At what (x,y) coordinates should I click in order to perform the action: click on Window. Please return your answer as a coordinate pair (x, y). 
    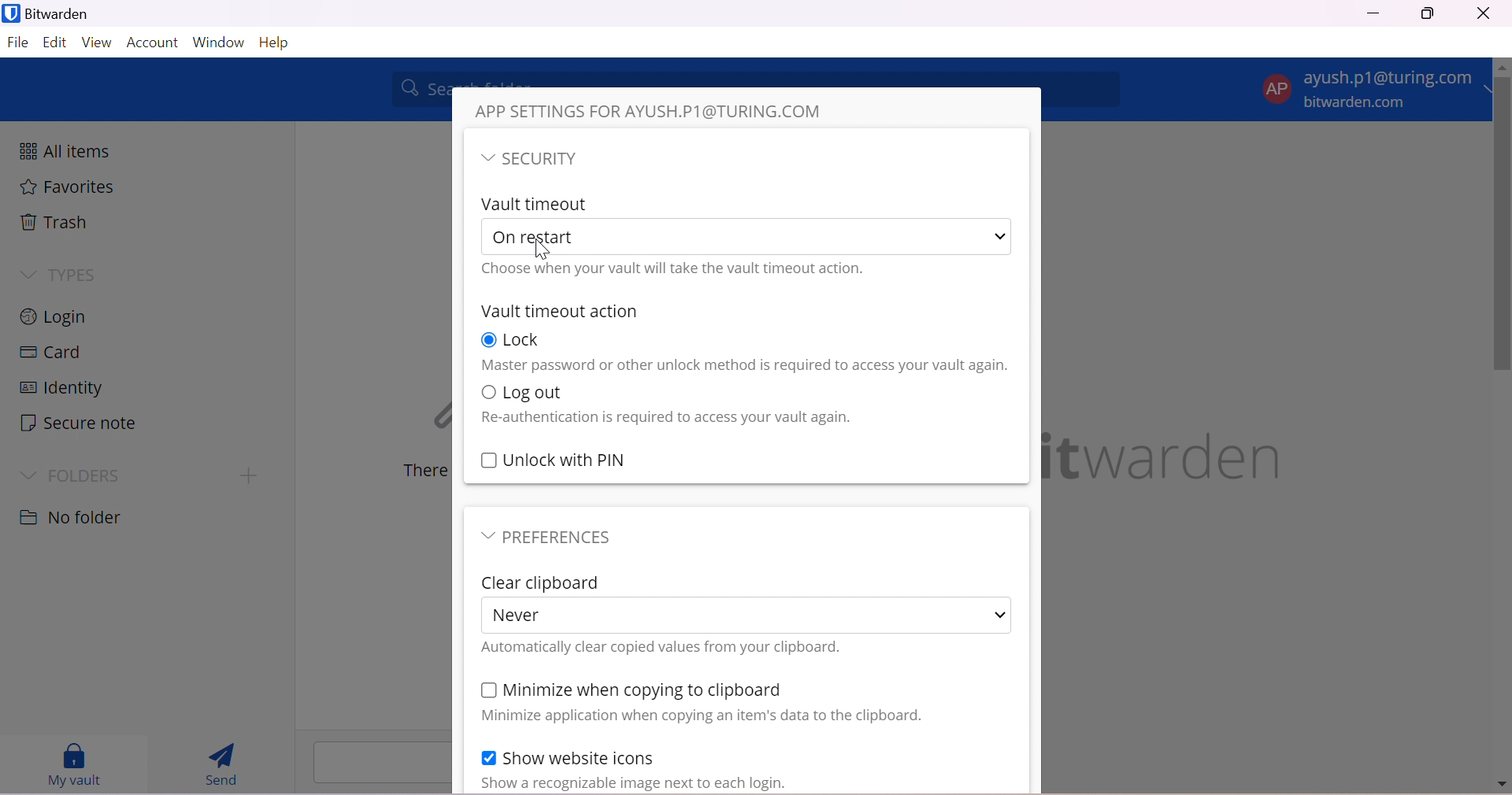
    Looking at the image, I should click on (219, 41).